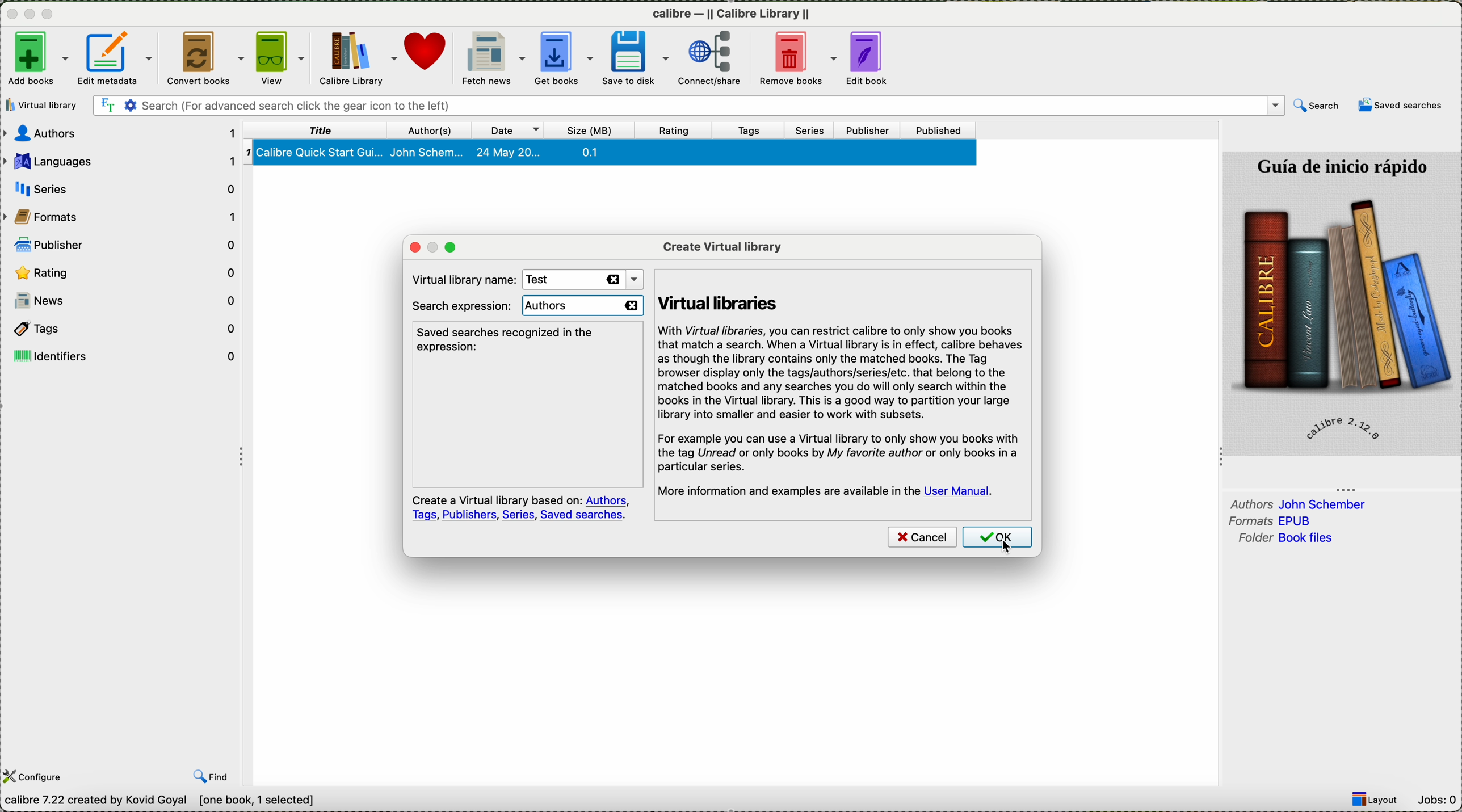 The image size is (1462, 812). I want to click on published, so click(941, 131).